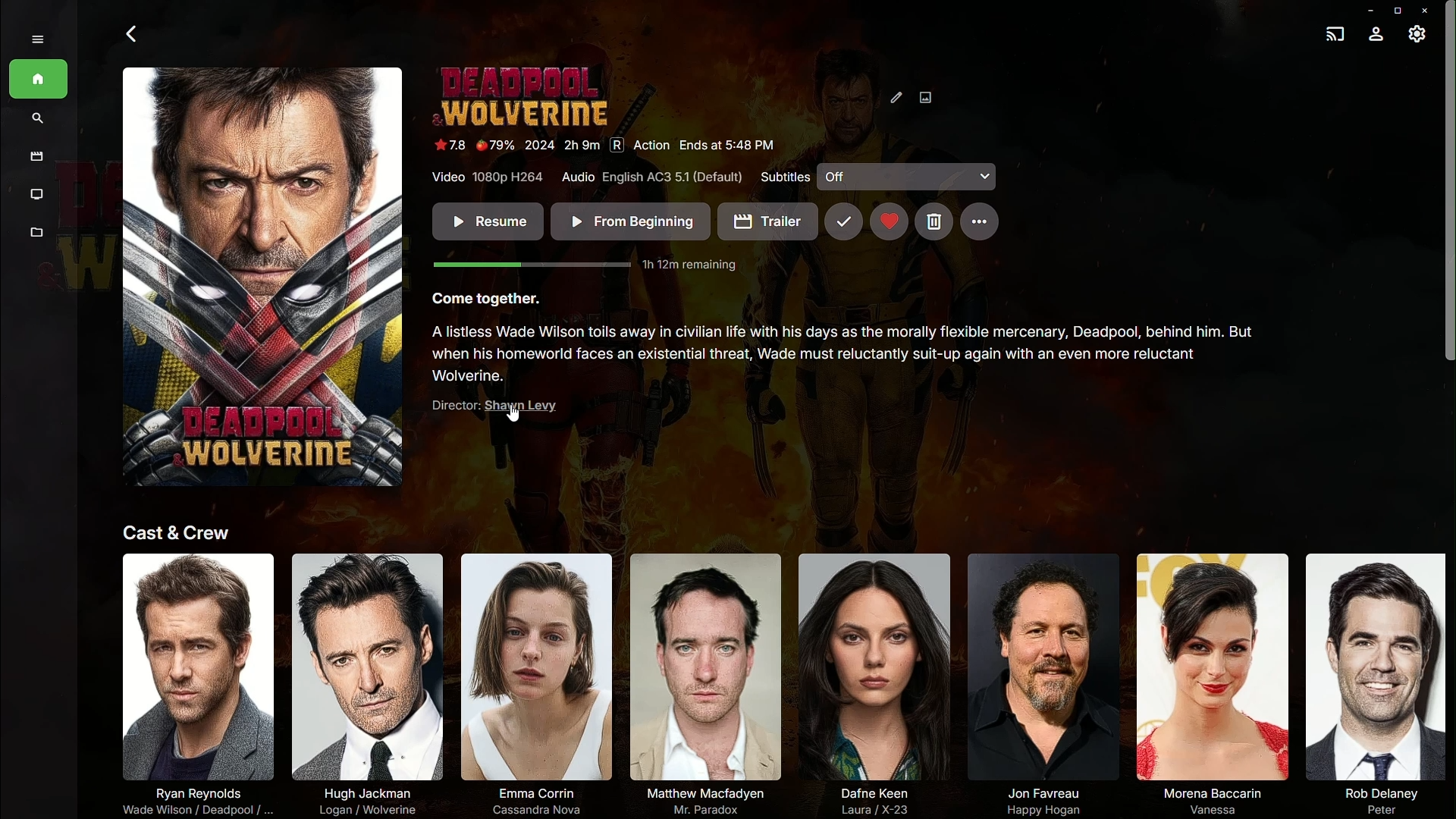 The width and height of the screenshot is (1456, 819). What do you see at coordinates (34, 193) in the screenshot?
I see `Shows` at bounding box center [34, 193].